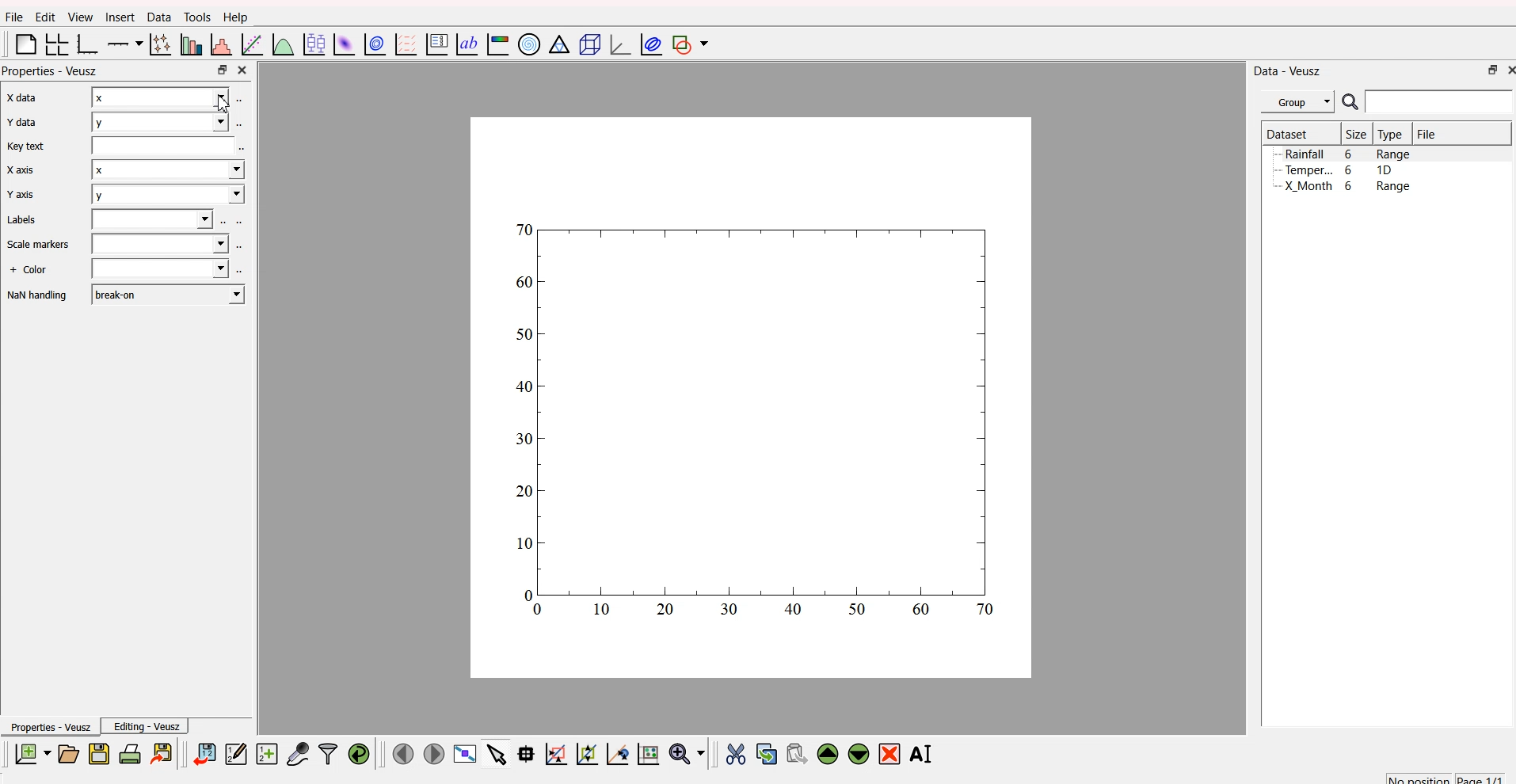 The width and height of the screenshot is (1516, 784). What do you see at coordinates (235, 17) in the screenshot?
I see `Help` at bounding box center [235, 17].